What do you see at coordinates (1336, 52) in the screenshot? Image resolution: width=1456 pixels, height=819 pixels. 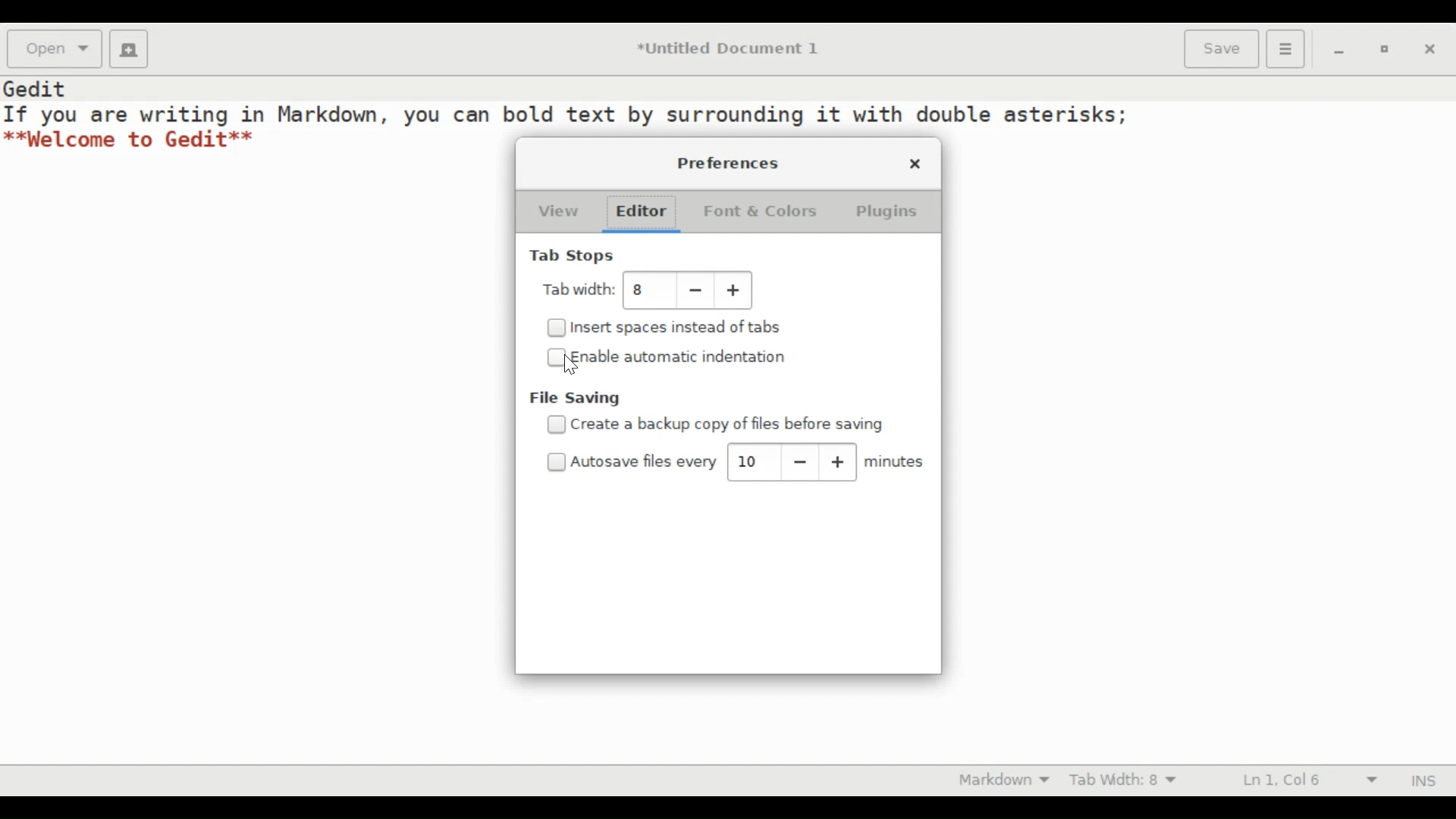 I see `minimize` at bounding box center [1336, 52].